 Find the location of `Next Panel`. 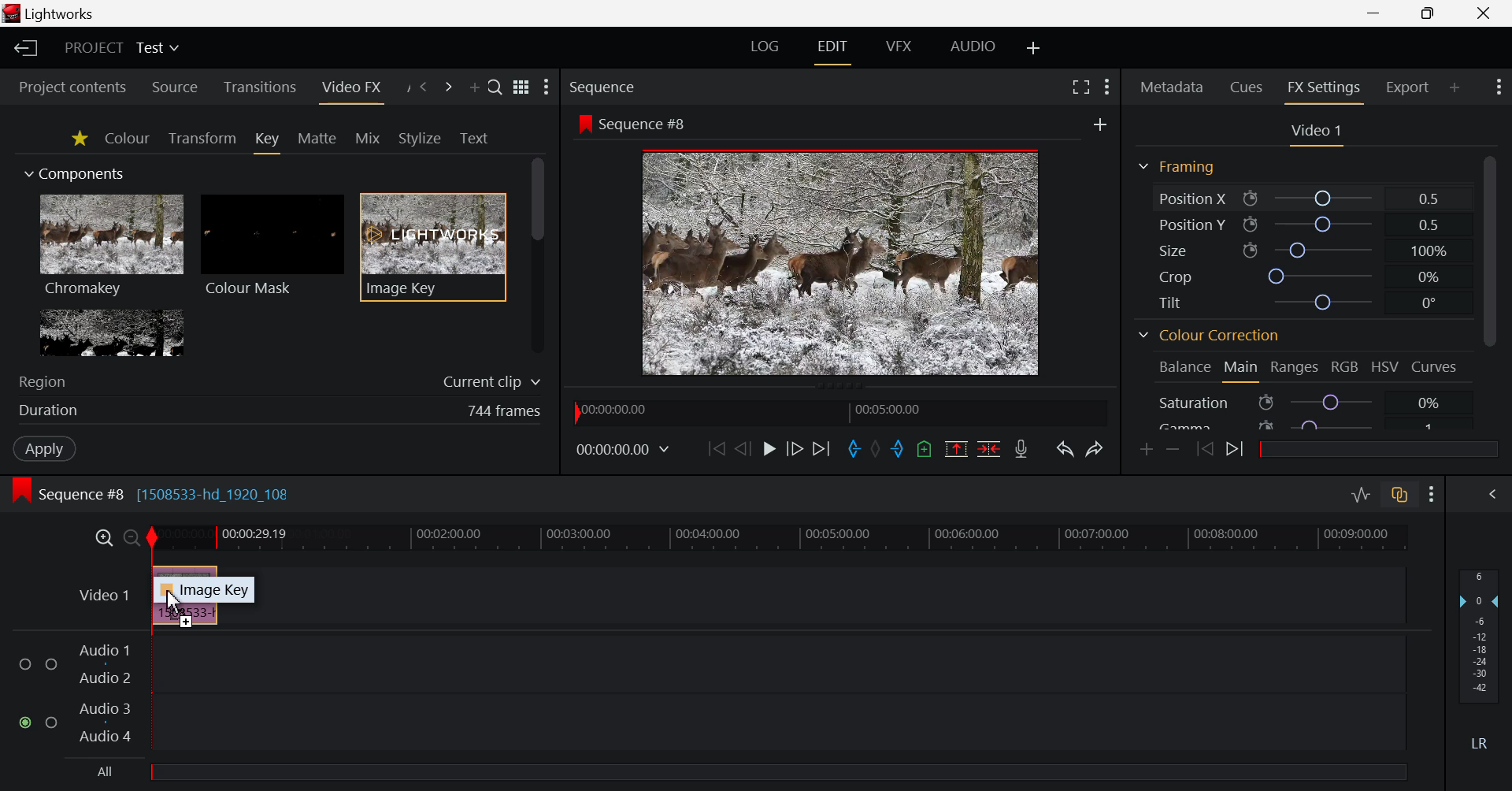

Next Panel is located at coordinates (448, 87).